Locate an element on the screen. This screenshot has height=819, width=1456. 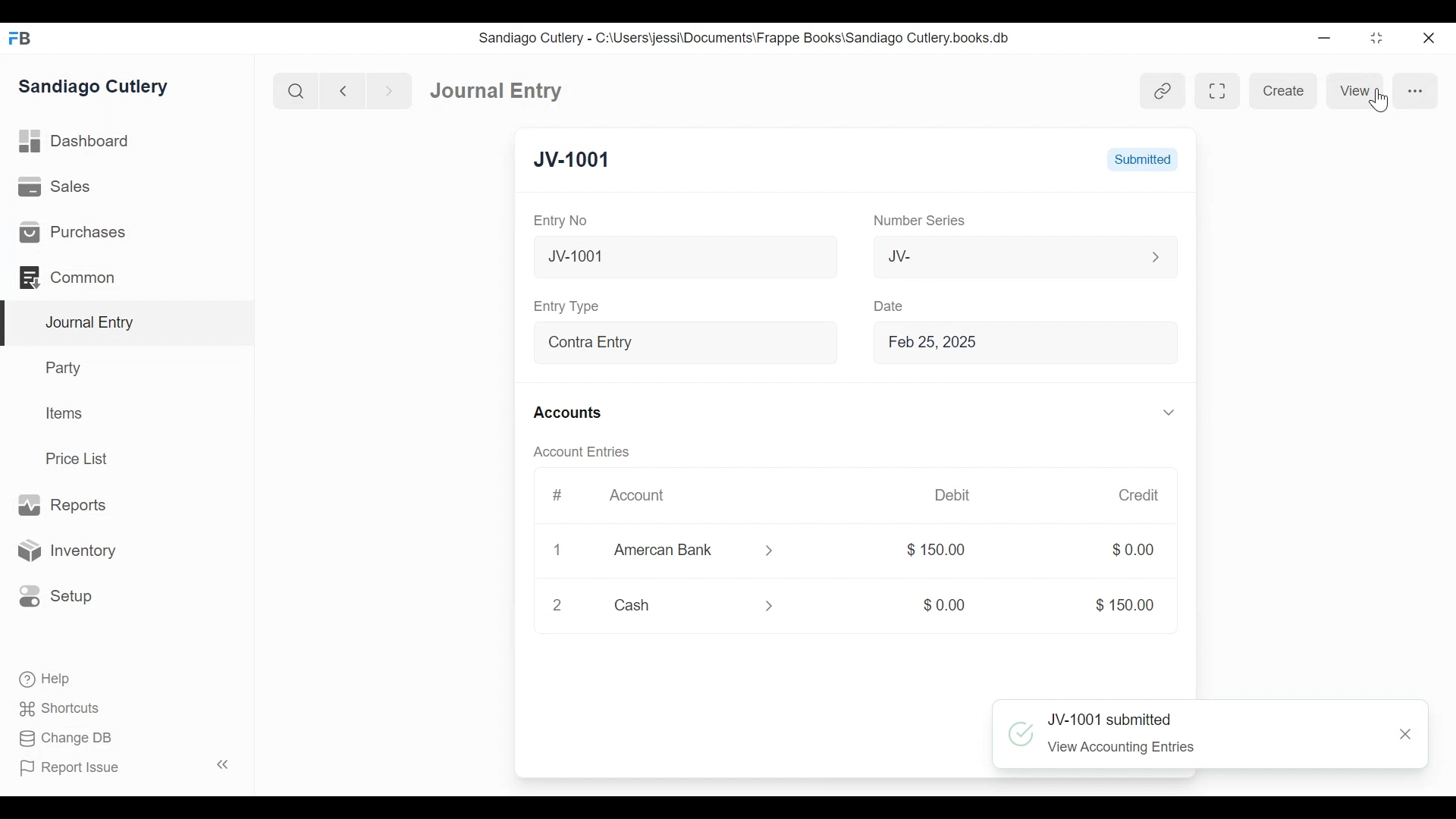
New Journal Entry 06 is located at coordinates (680, 259).